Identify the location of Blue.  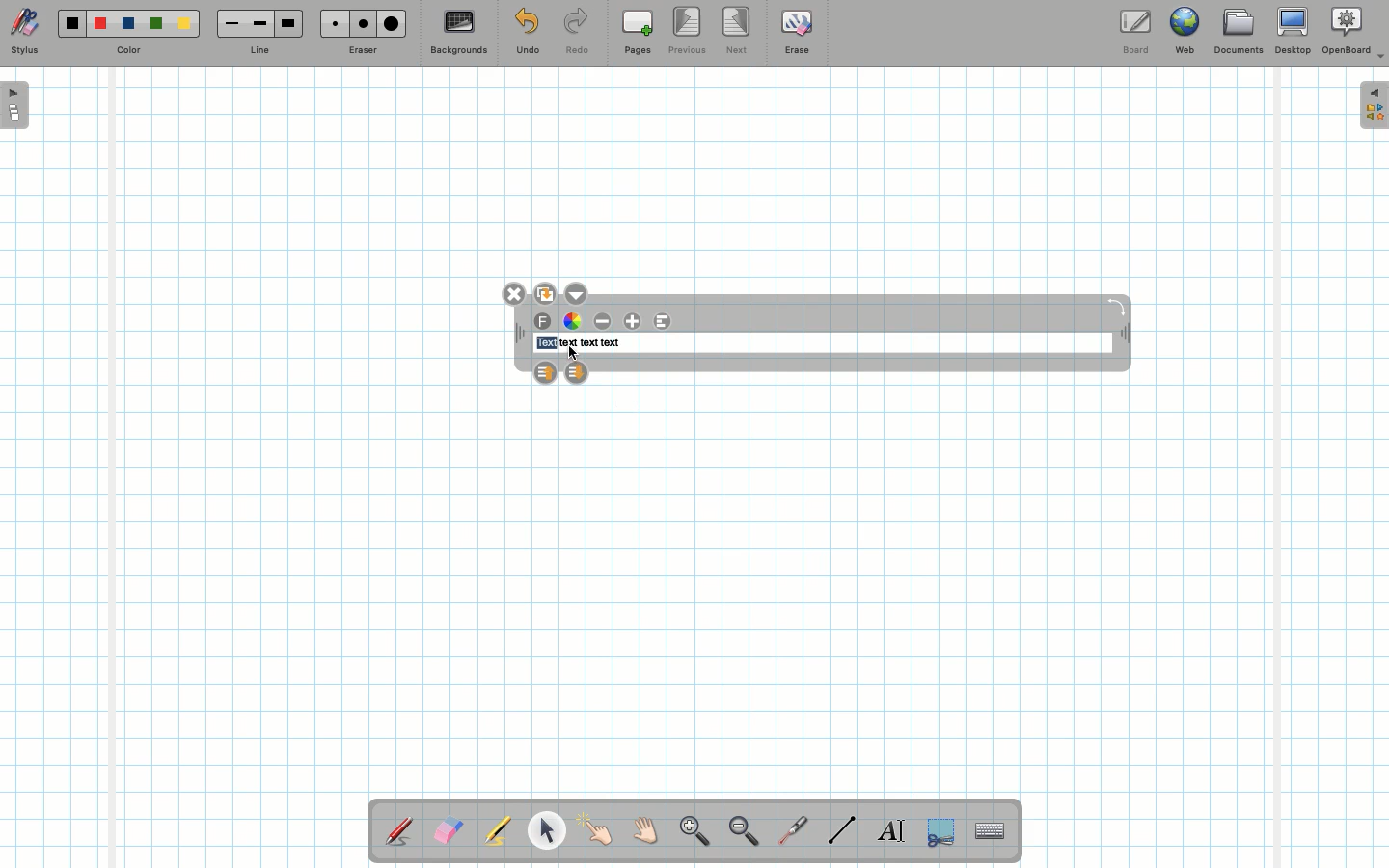
(129, 24).